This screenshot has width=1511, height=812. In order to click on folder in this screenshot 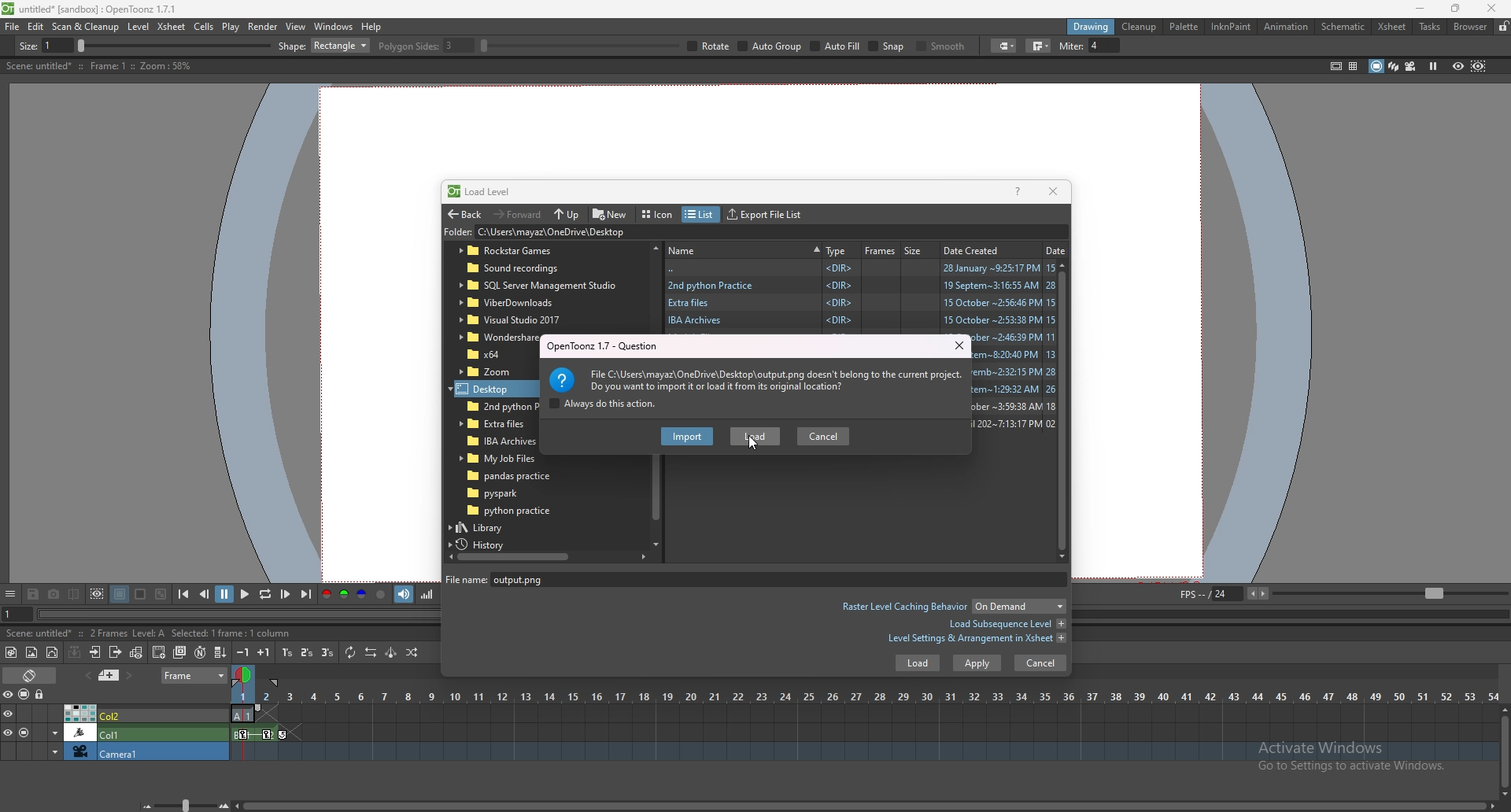, I will do `click(519, 302)`.